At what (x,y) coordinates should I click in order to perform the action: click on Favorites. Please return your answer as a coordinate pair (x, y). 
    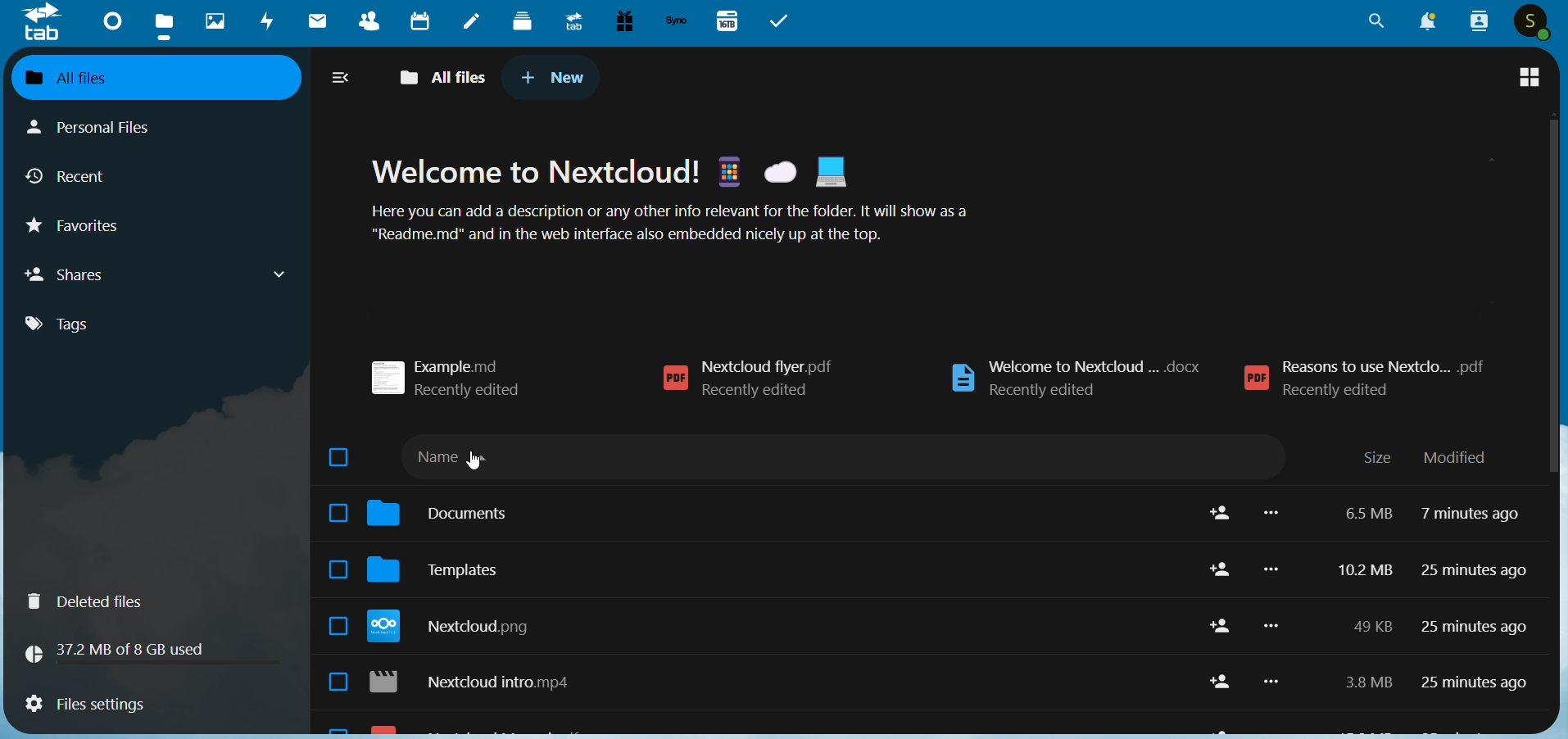
    Looking at the image, I should click on (117, 226).